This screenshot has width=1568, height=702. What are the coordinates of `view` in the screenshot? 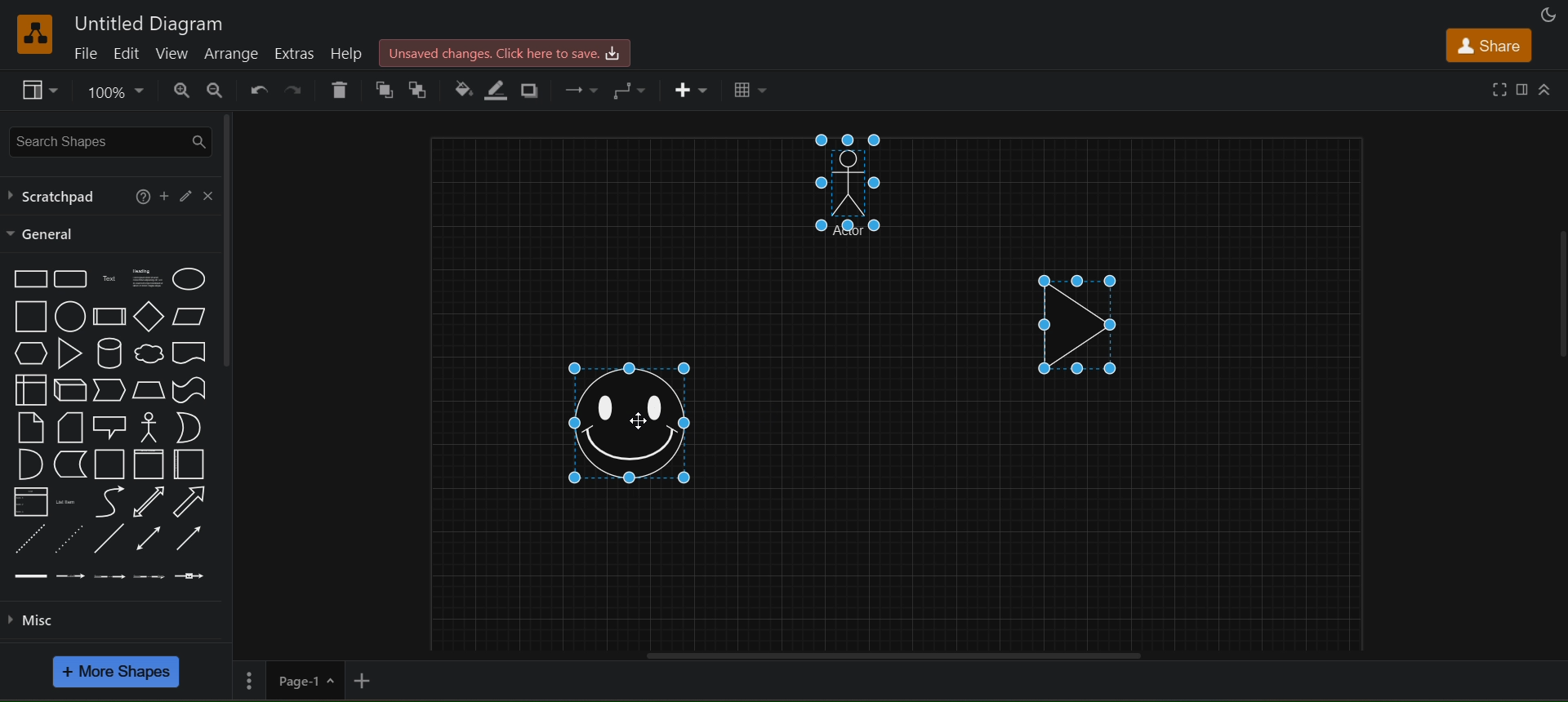 It's located at (171, 52).